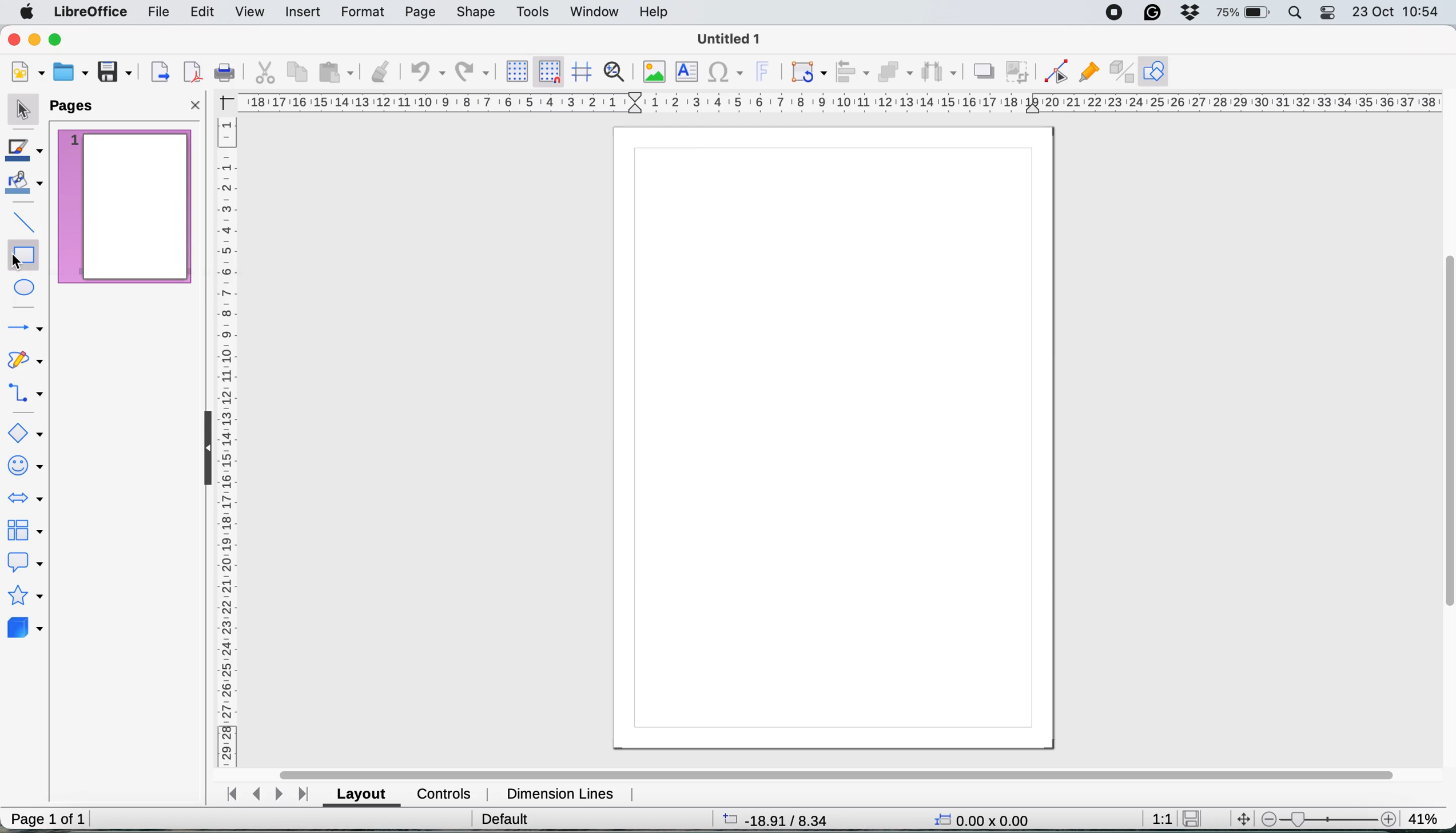  What do you see at coordinates (767, 70) in the screenshot?
I see `insert fontwork text` at bounding box center [767, 70].